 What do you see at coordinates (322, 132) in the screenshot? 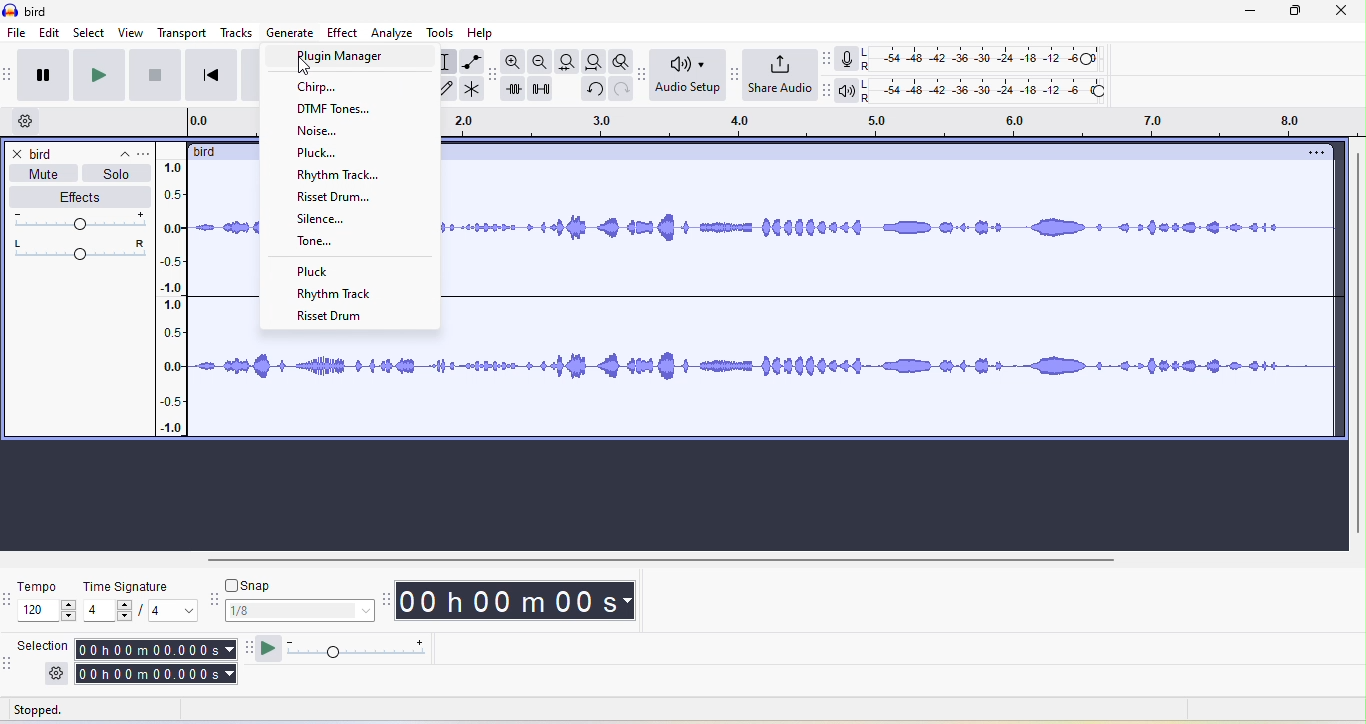
I see `noise` at bounding box center [322, 132].